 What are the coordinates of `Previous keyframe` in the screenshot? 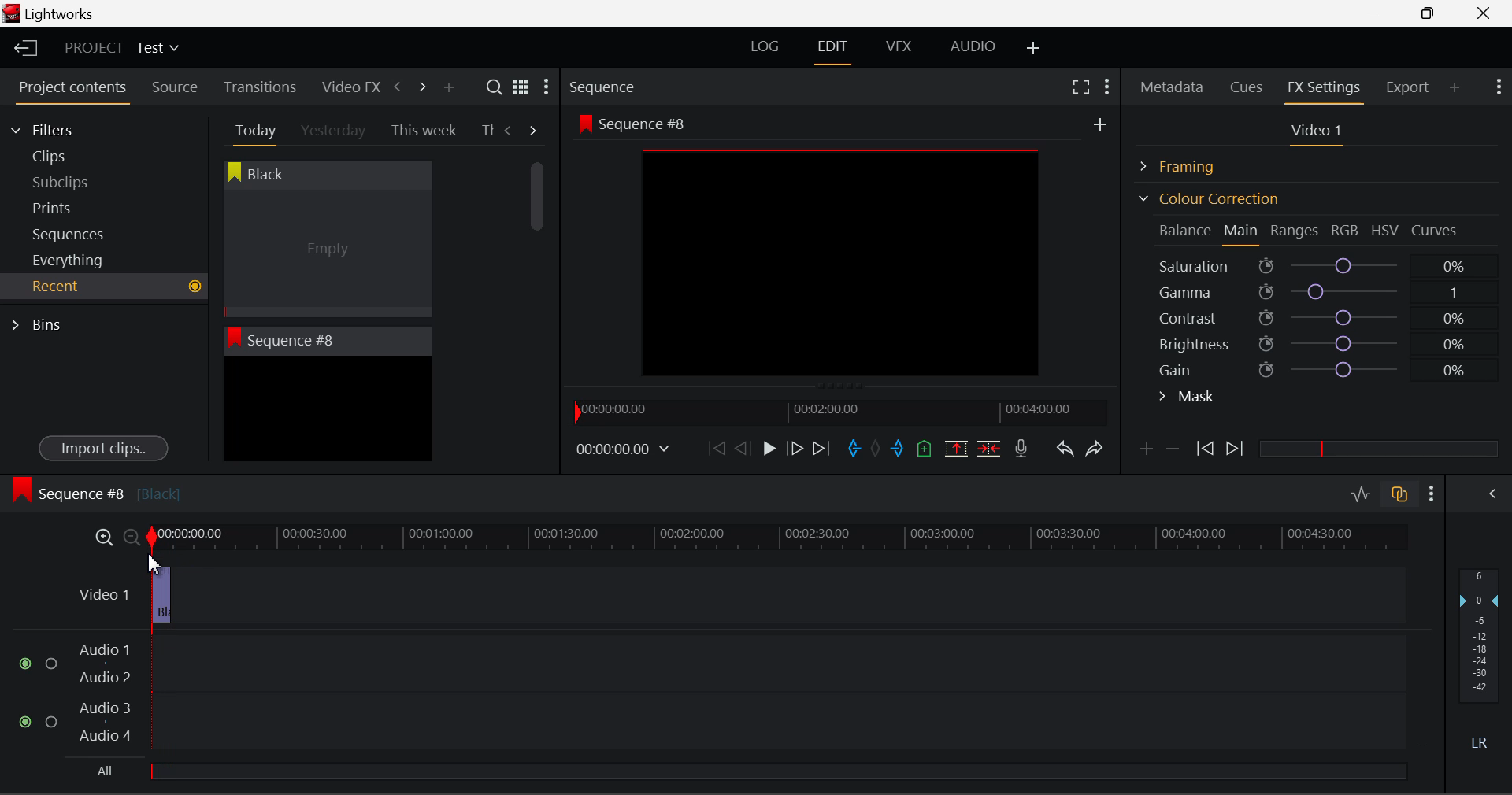 It's located at (1203, 449).